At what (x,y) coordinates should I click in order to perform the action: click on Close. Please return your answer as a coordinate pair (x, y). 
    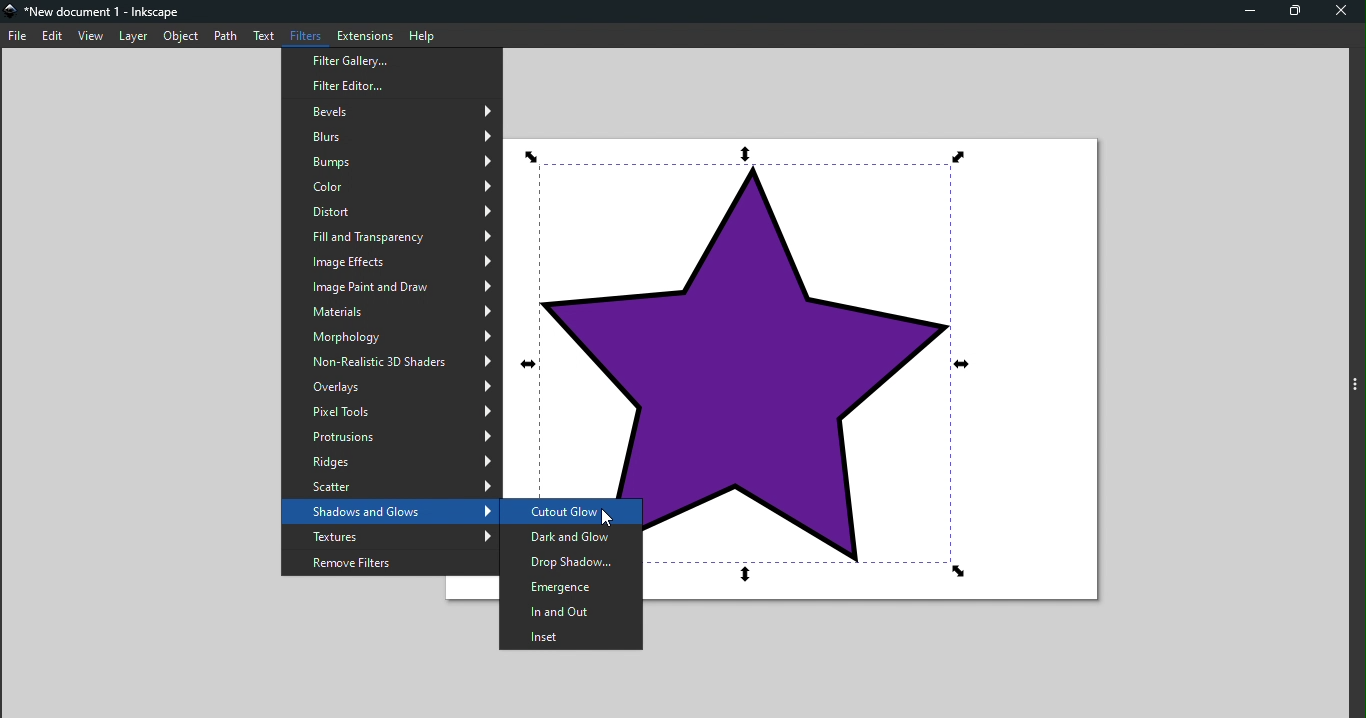
    Looking at the image, I should click on (1345, 11).